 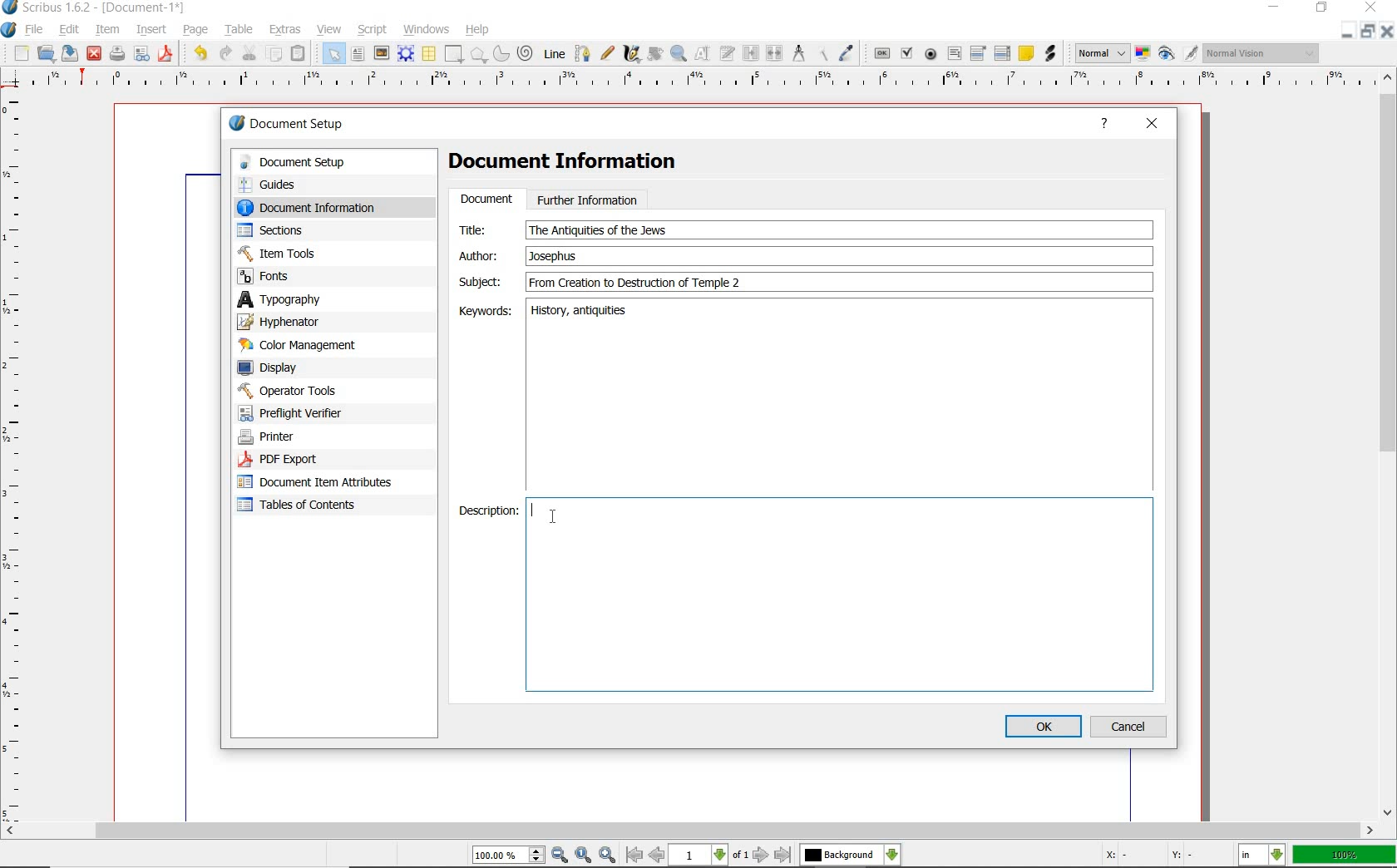 What do you see at coordinates (486, 200) in the screenshot?
I see `document` at bounding box center [486, 200].